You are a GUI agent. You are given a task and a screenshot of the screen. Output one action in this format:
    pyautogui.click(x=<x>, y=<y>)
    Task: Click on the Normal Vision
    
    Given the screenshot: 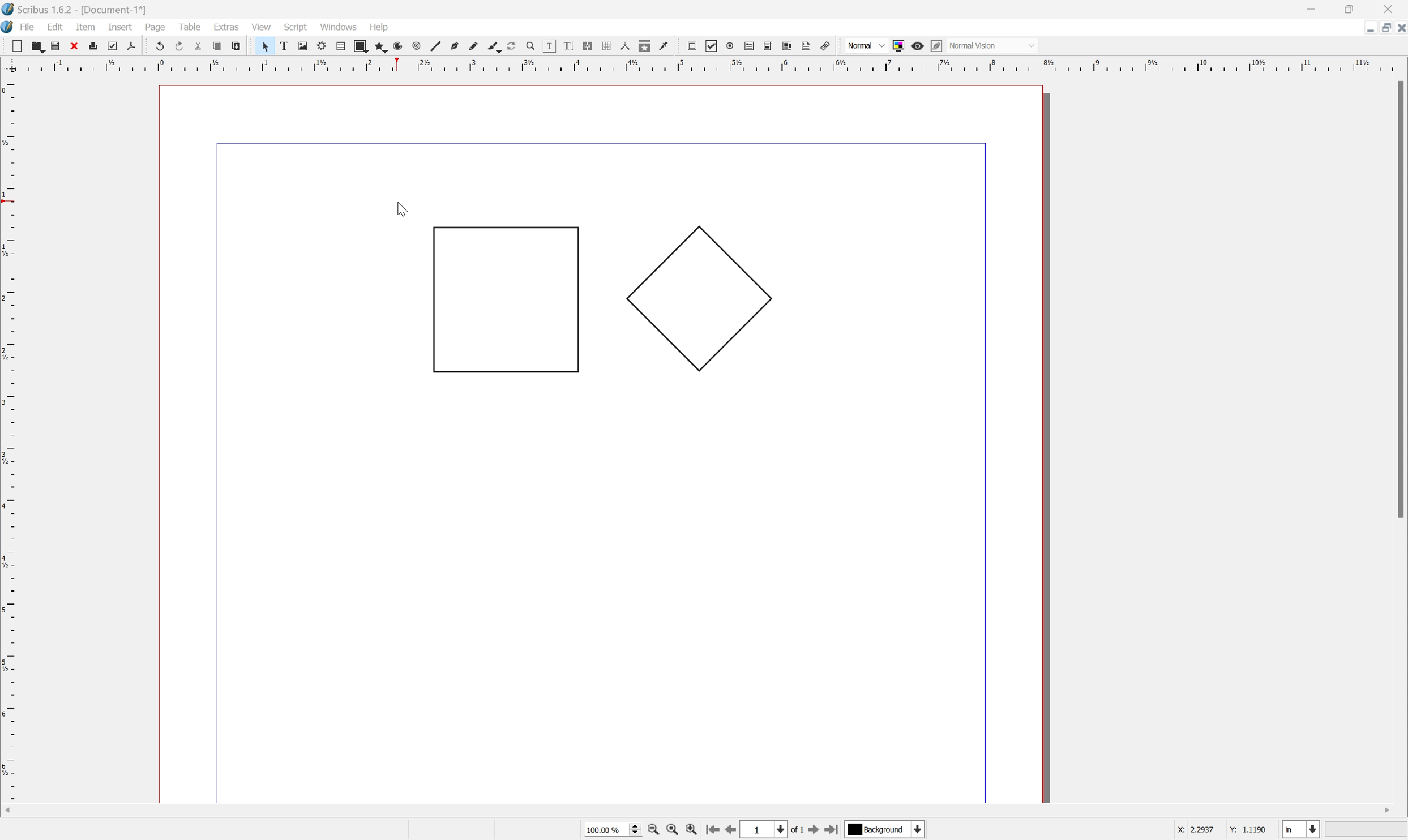 What is the action you would take?
    pyautogui.click(x=994, y=44)
    